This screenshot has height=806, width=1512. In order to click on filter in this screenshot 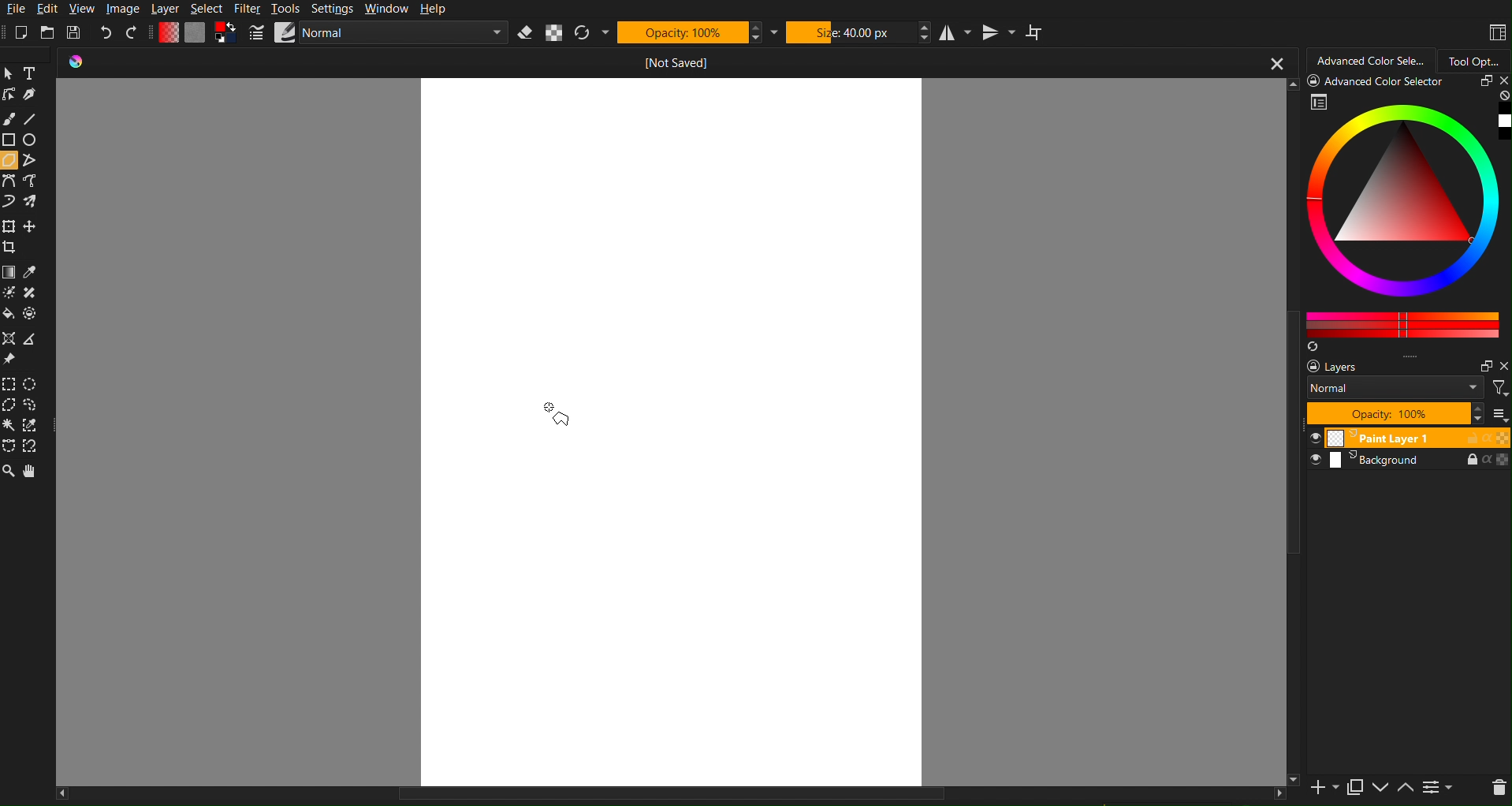, I will do `click(1500, 388)`.